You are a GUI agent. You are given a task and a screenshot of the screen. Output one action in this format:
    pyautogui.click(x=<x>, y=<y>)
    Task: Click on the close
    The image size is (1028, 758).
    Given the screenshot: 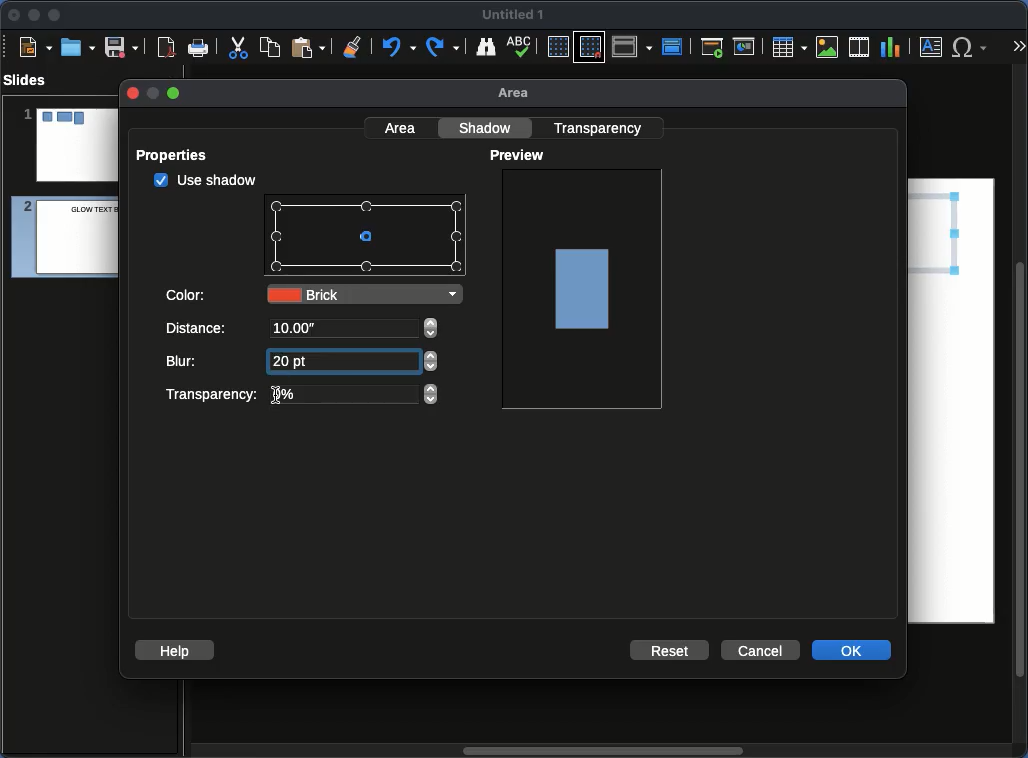 What is the action you would take?
    pyautogui.click(x=131, y=93)
    